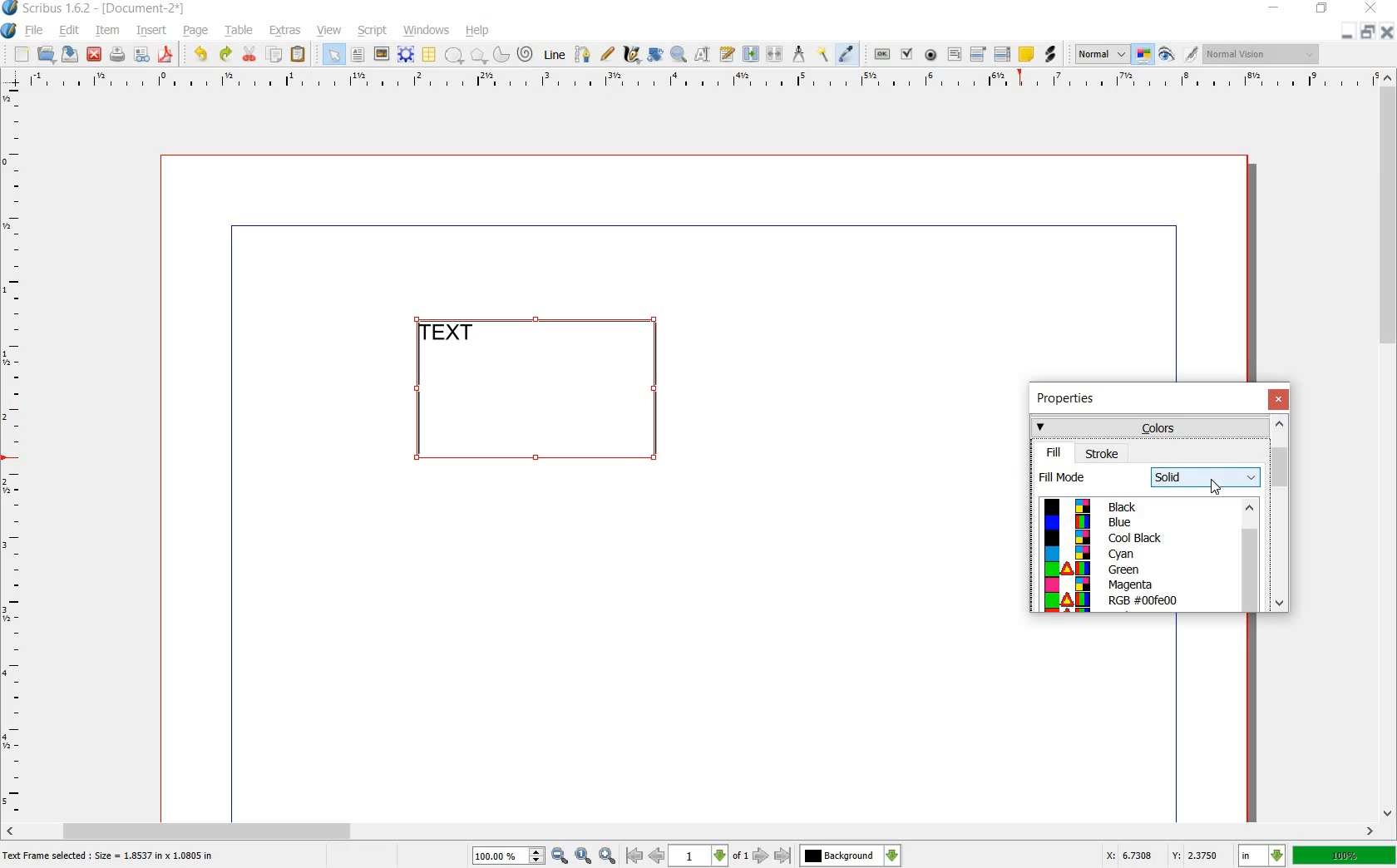 Image resolution: width=1397 pixels, height=868 pixels. I want to click on go to next or last page, so click(771, 856).